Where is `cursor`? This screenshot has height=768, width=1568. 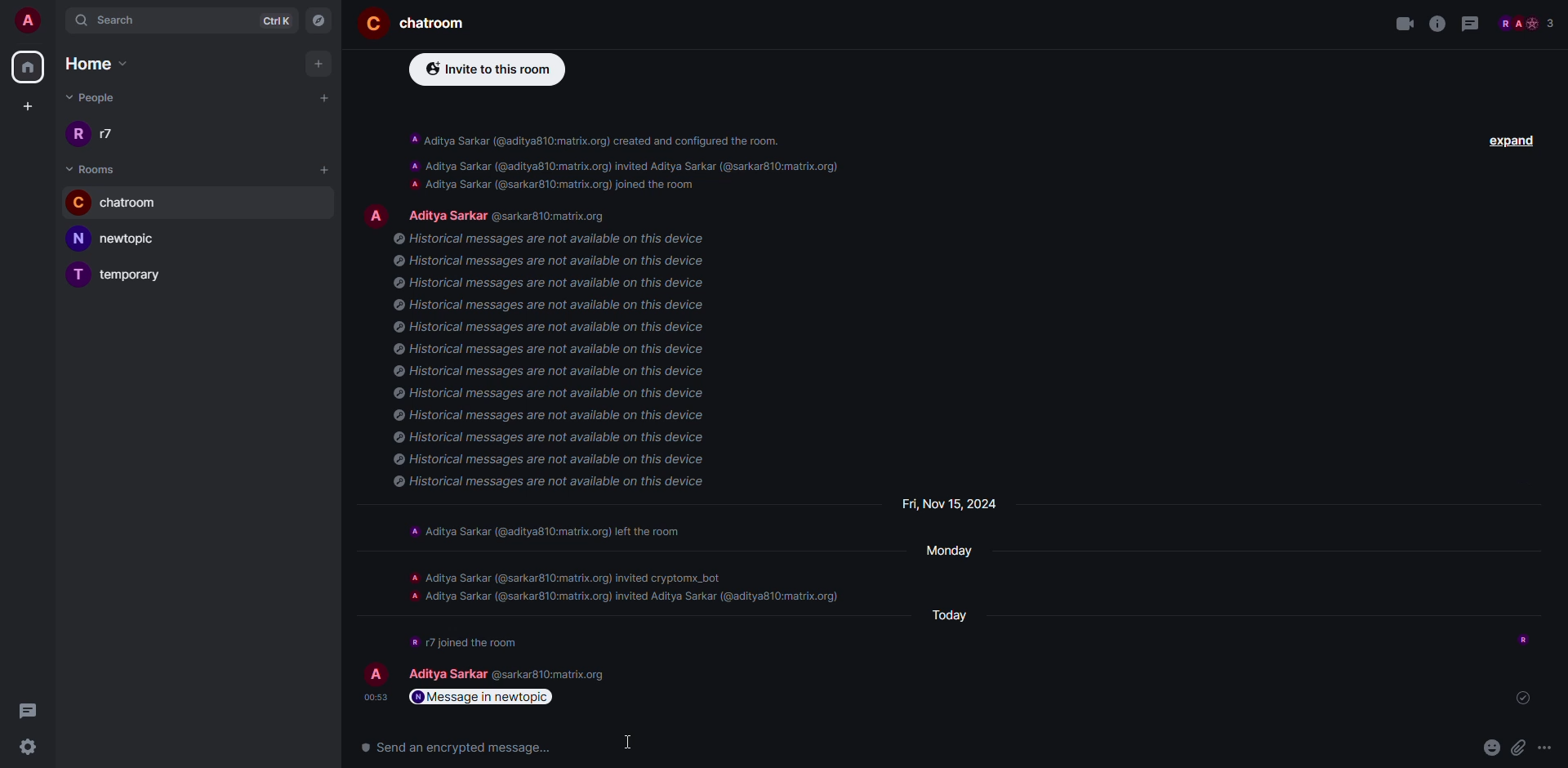
cursor is located at coordinates (633, 745).